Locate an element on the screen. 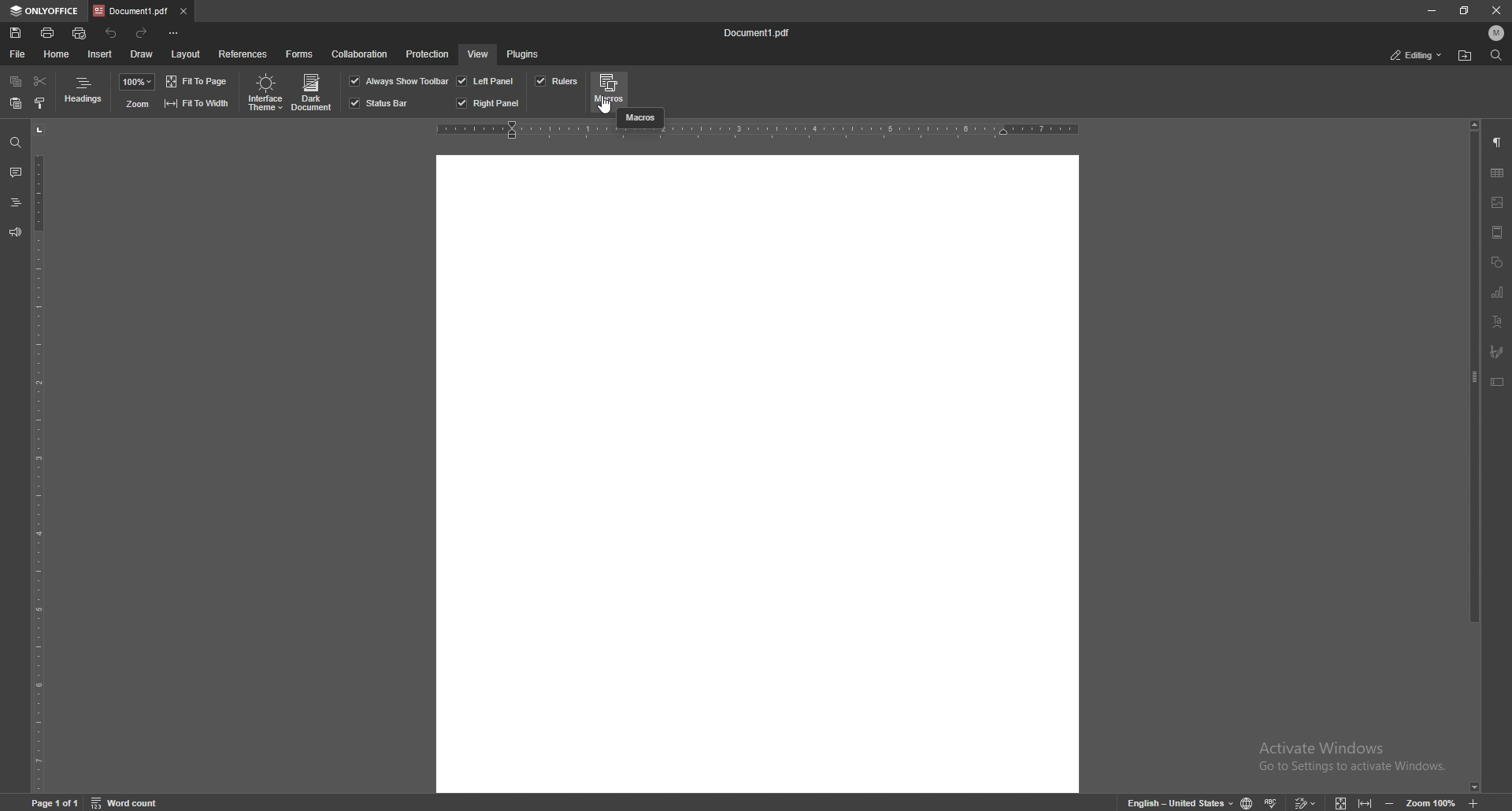  fit to page is located at coordinates (198, 81).